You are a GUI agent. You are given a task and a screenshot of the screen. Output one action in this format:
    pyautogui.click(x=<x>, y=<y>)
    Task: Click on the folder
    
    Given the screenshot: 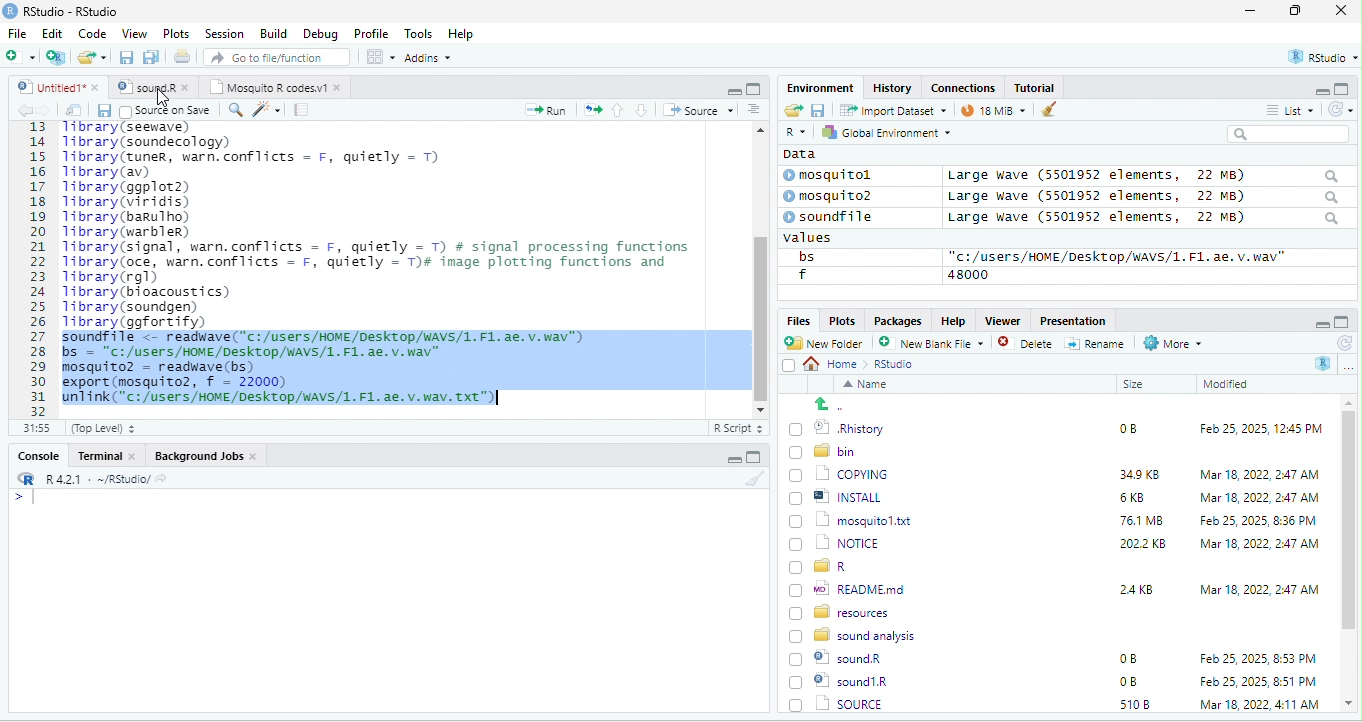 What is the action you would take?
    pyautogui.click(x=94, y=57)
    